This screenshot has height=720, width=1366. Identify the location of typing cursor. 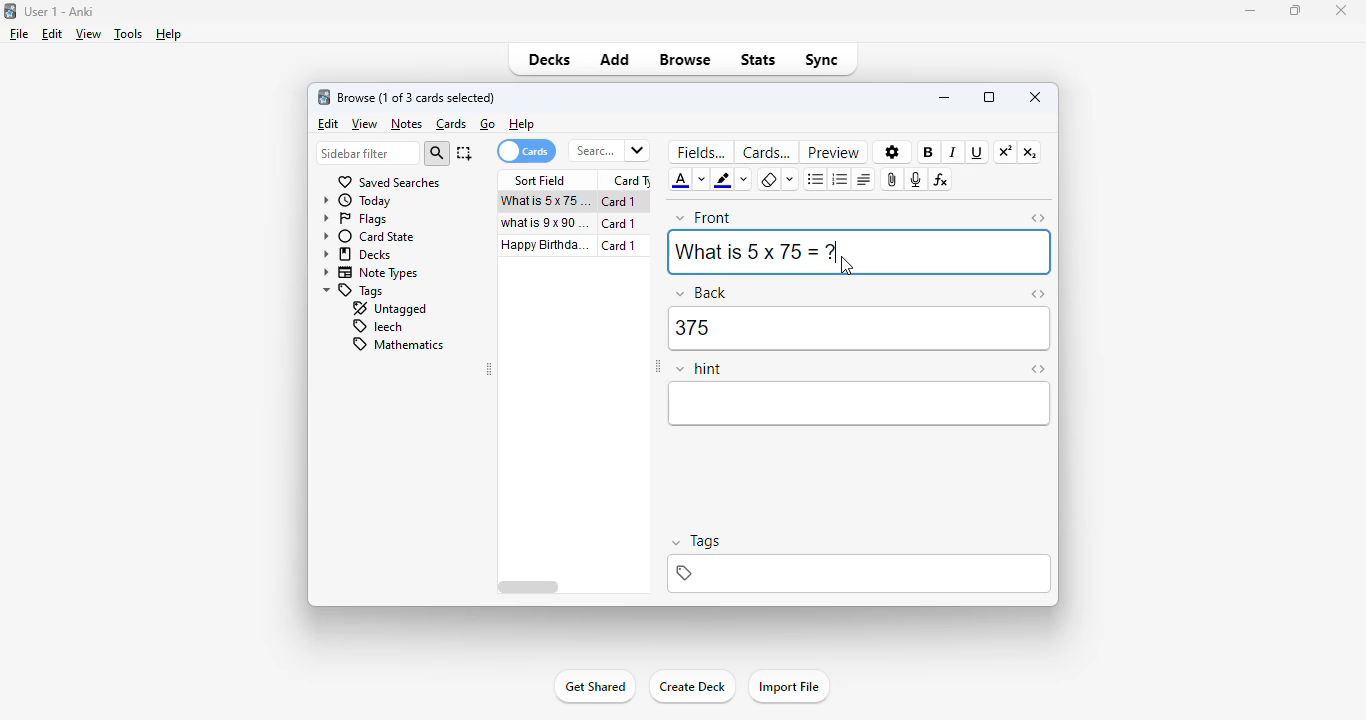
(841, 253).